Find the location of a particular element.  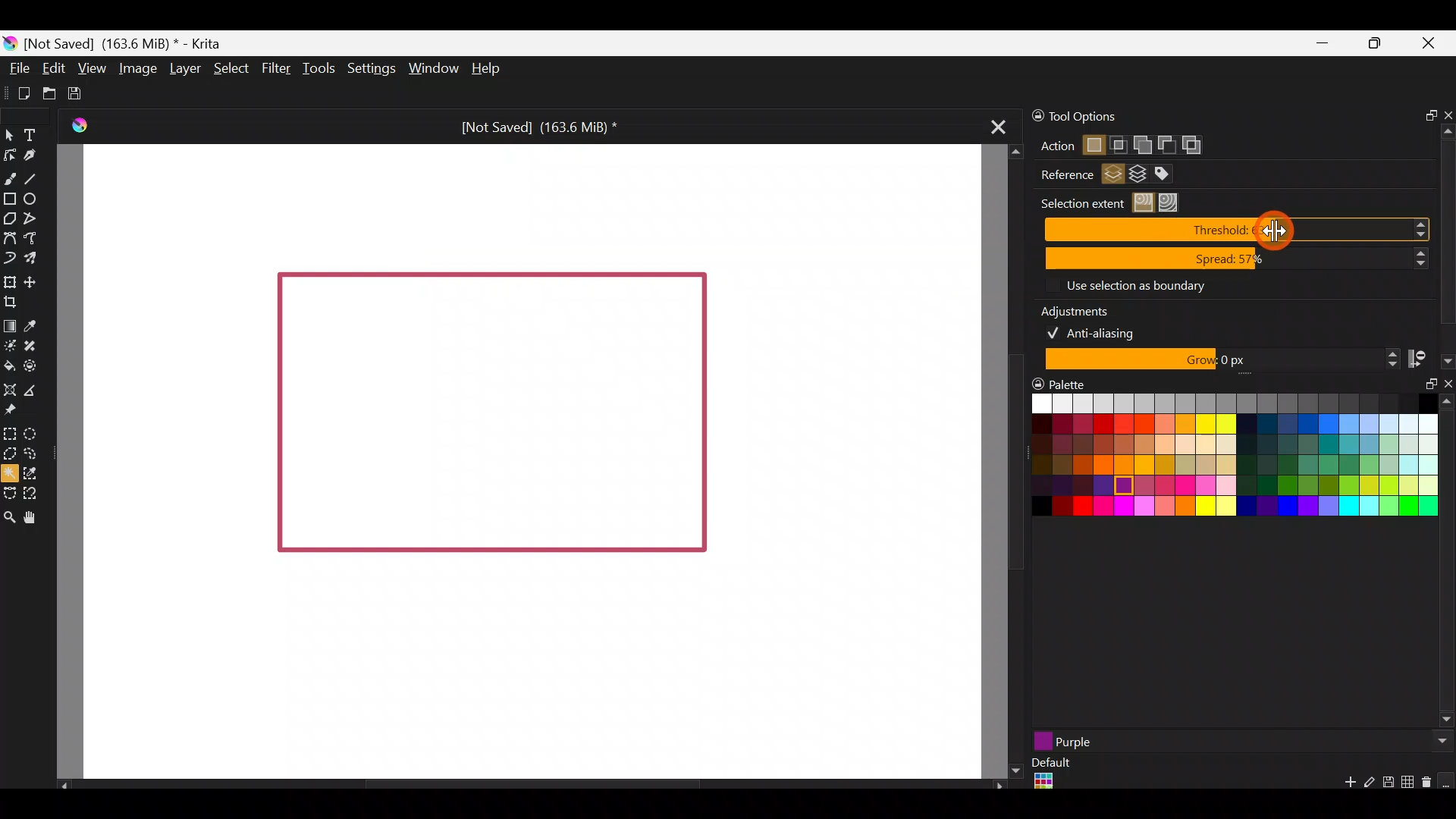

Krita logo is located at coordinates (11, 42).